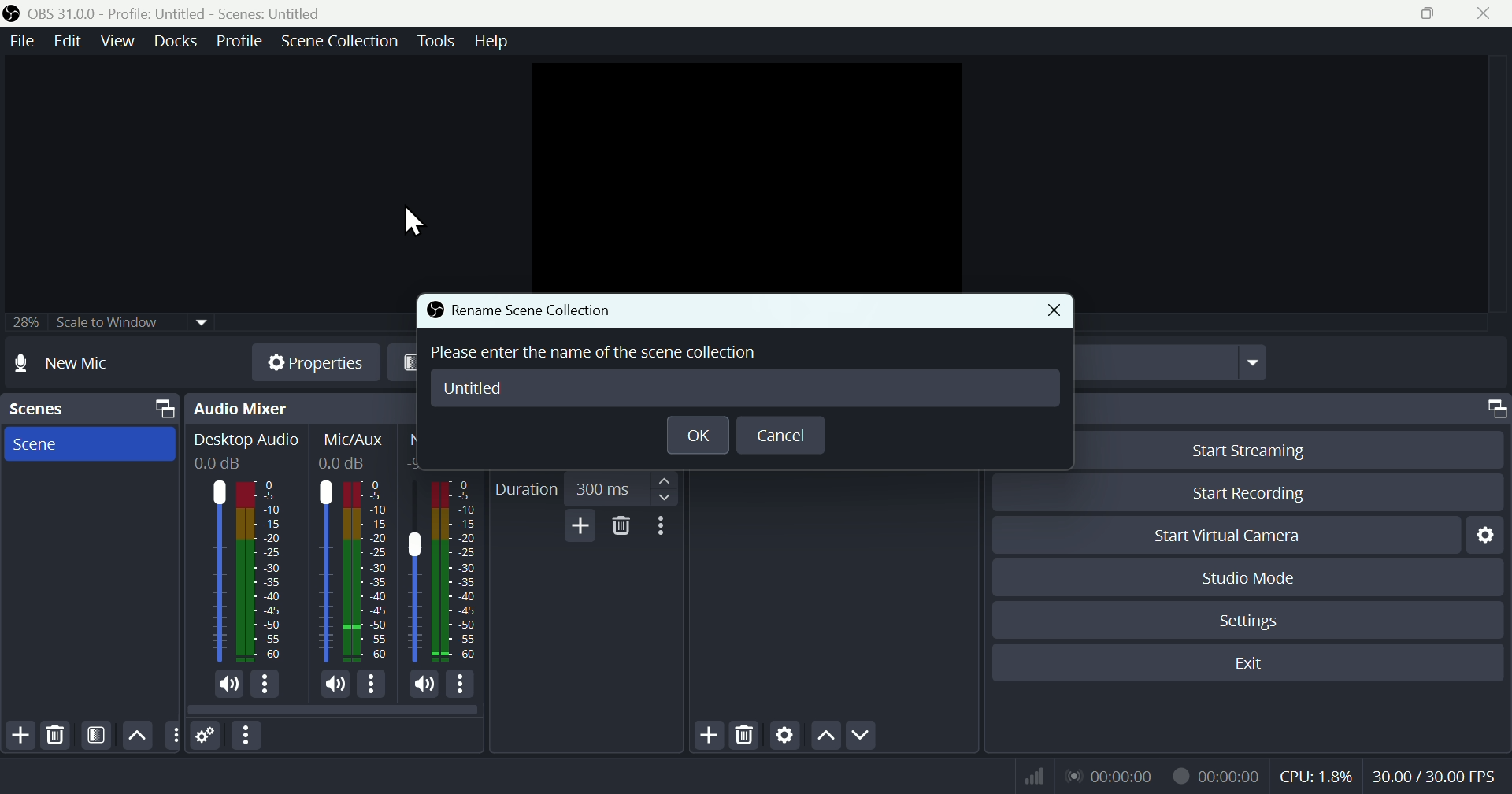  I want to click on minimise, so click(1384, 14).